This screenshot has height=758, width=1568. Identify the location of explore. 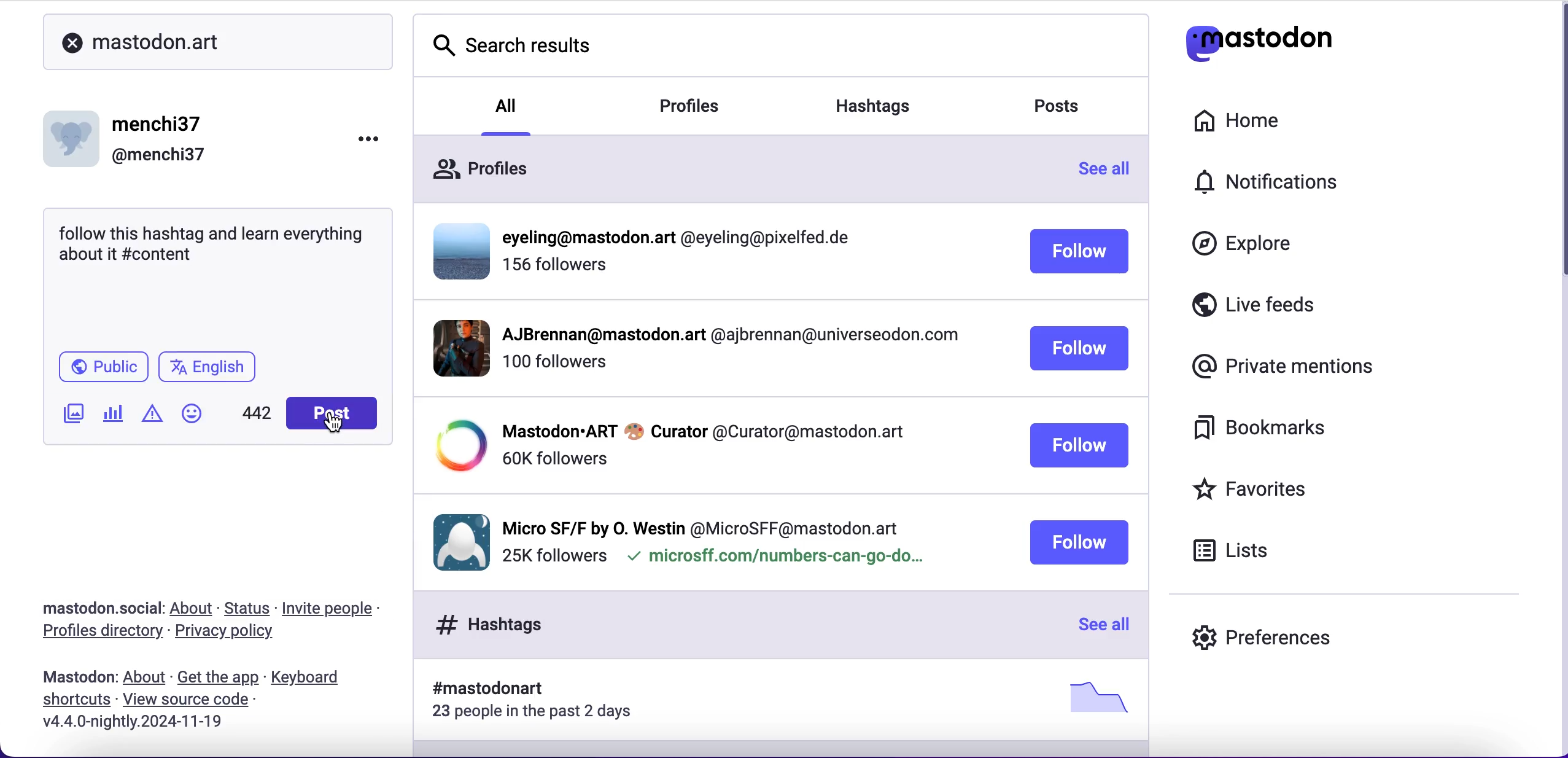
(1246, 249).